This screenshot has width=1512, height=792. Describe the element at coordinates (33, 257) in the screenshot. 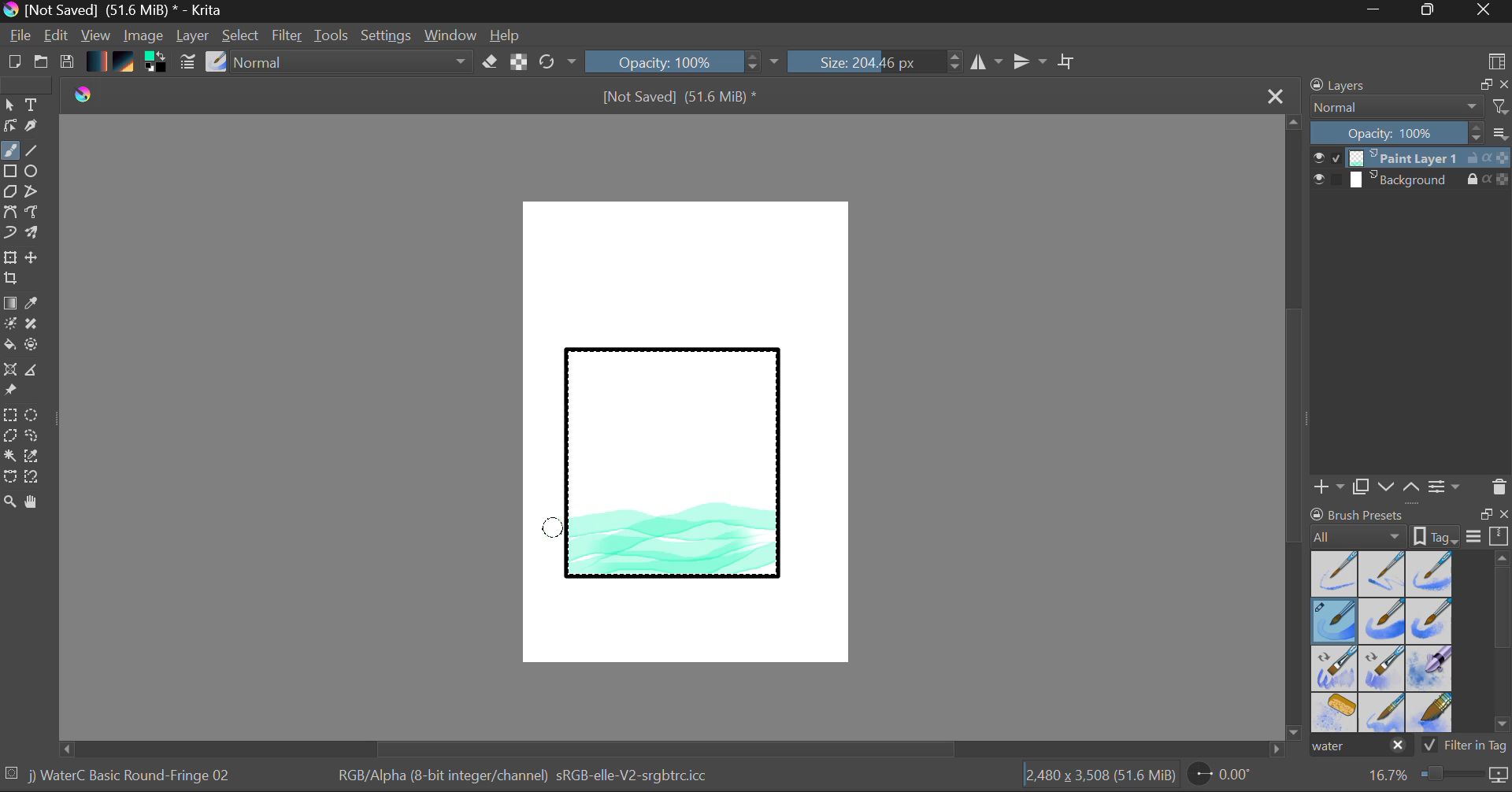

I see `Move Layer` at that location.